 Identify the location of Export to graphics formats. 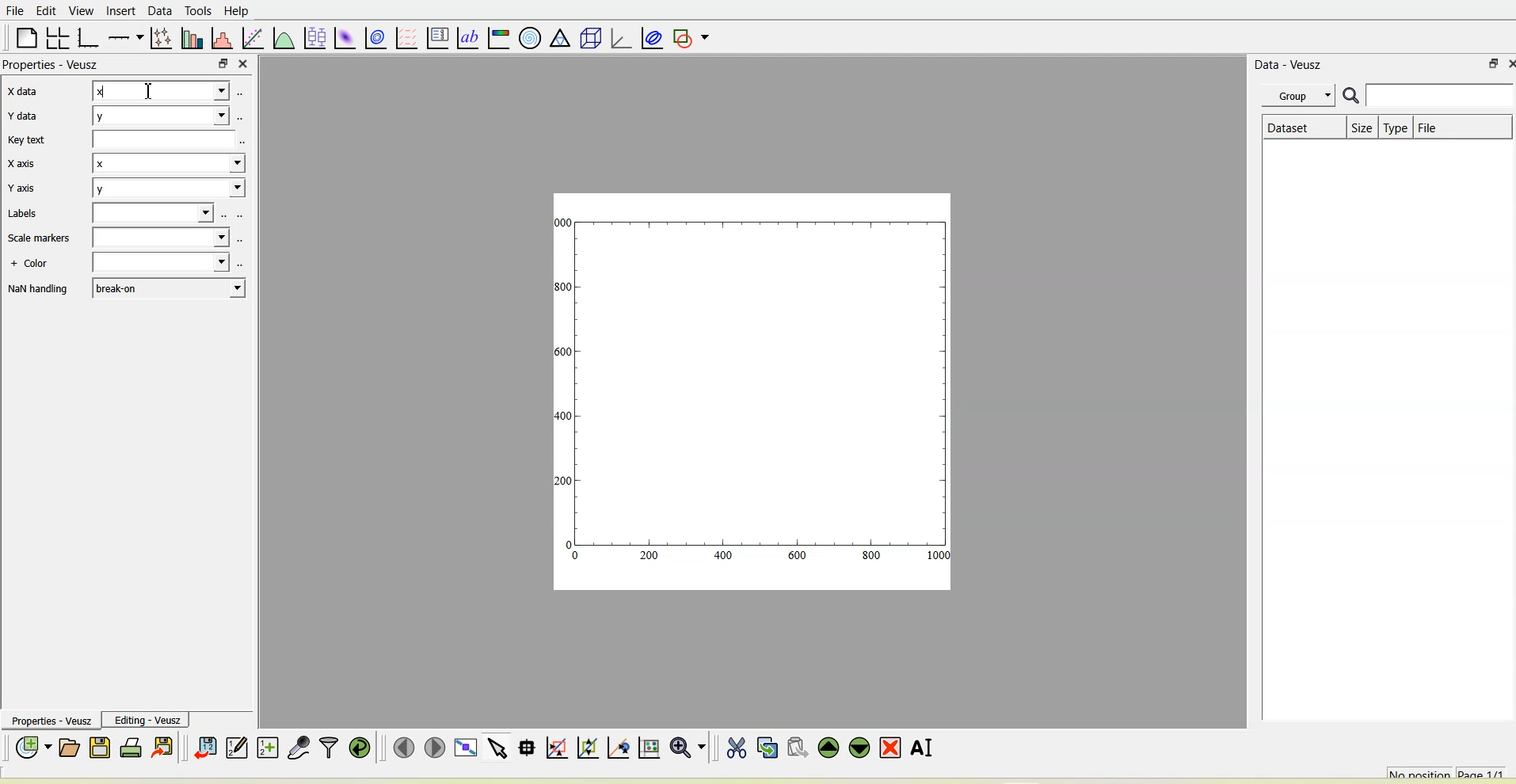
(162, 748).